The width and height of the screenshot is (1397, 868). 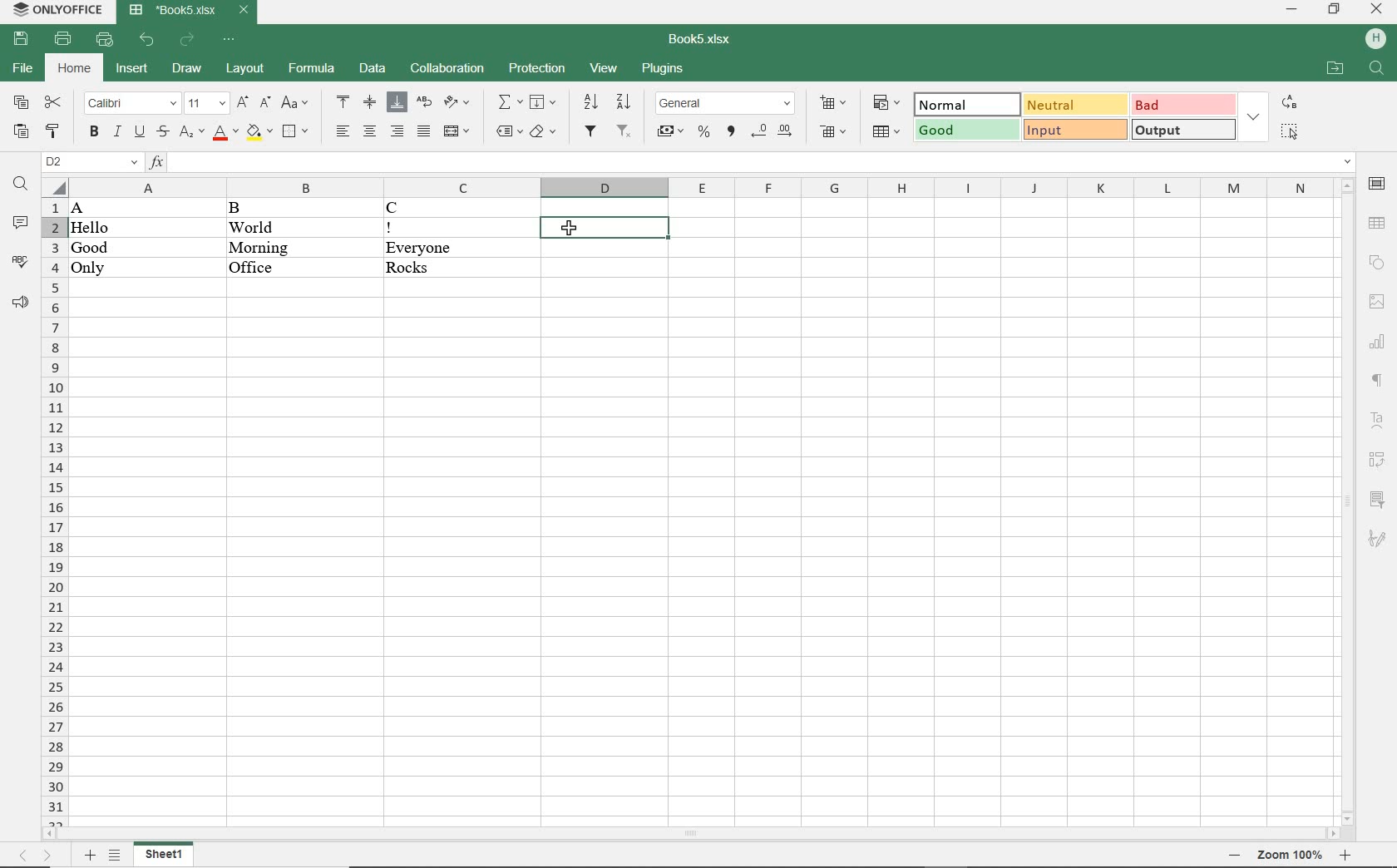 I want to click on DOCUMENT NAME, so click(x=191, y=12).